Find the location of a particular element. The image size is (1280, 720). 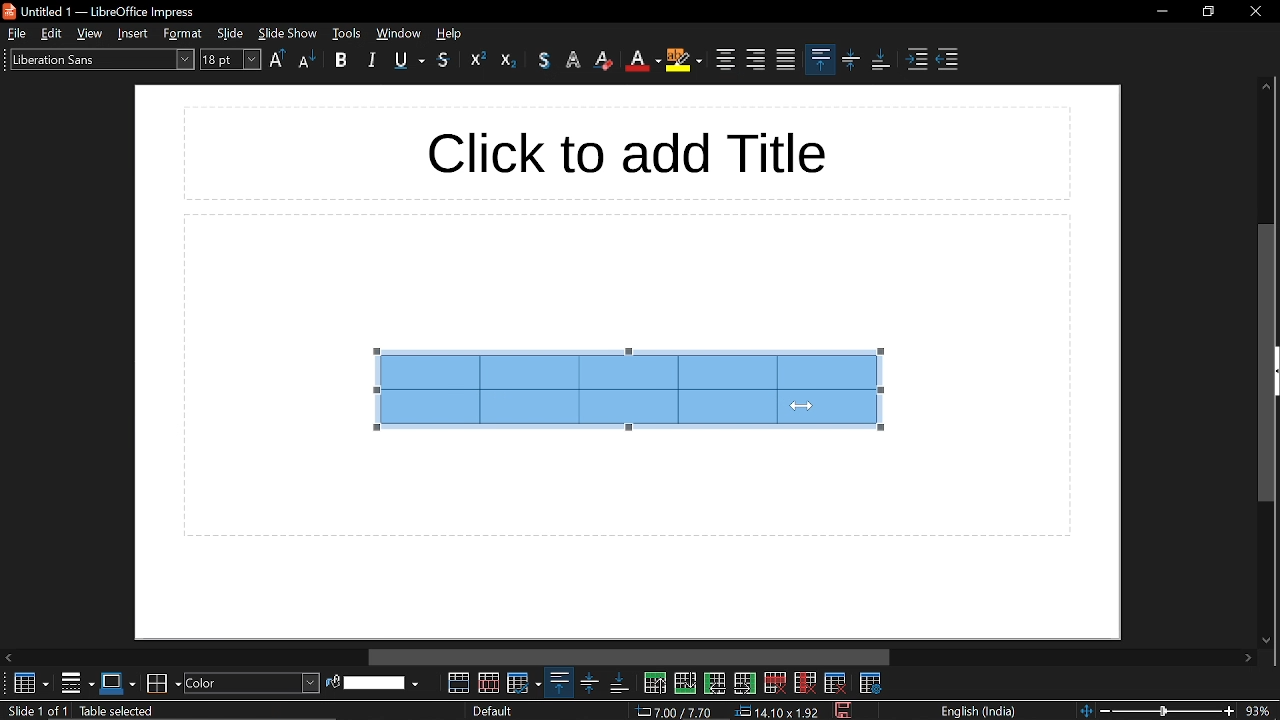

align bottom is located at coordinates (616, 683).